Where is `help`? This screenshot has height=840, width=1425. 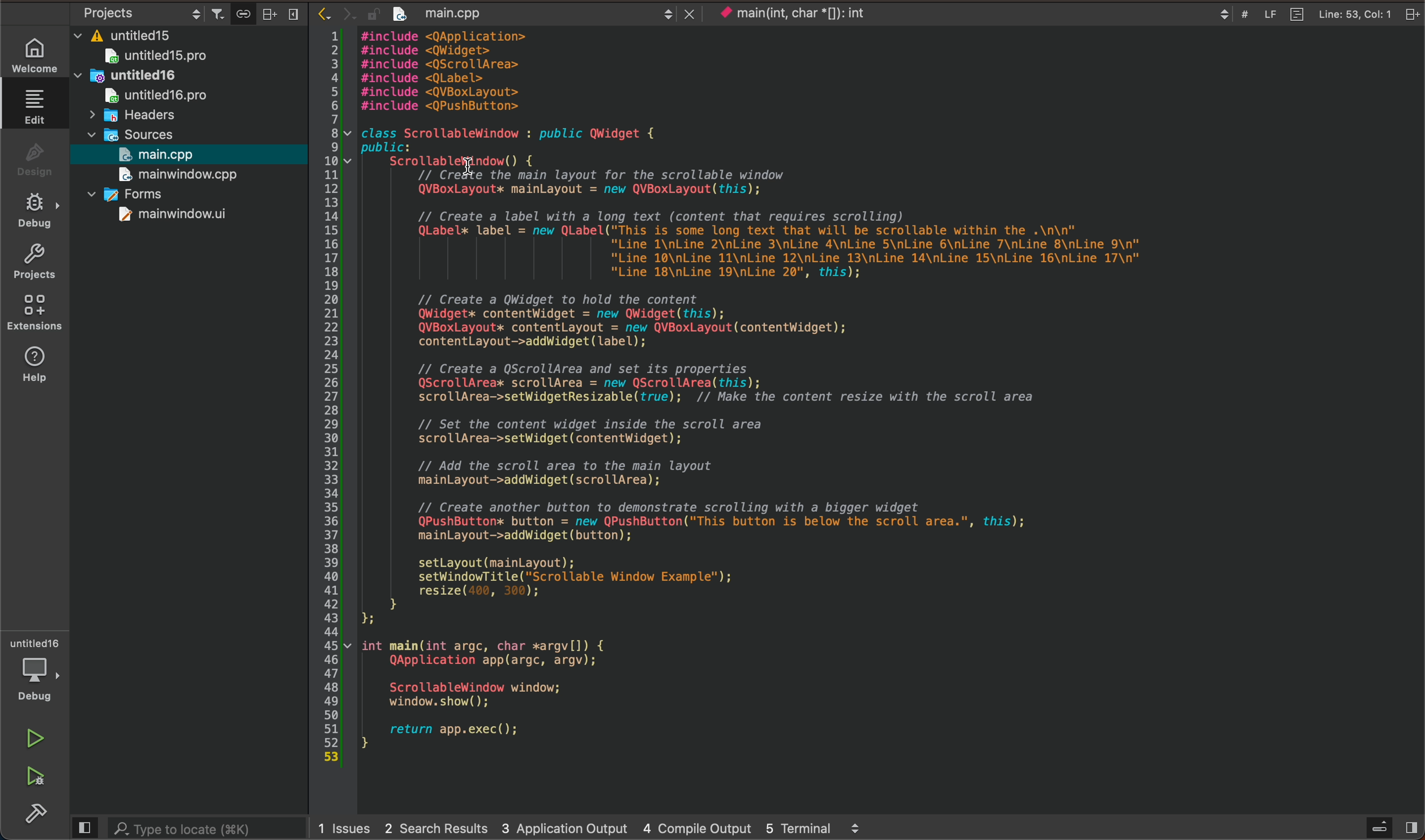 help is located at coordinates (35, 363).